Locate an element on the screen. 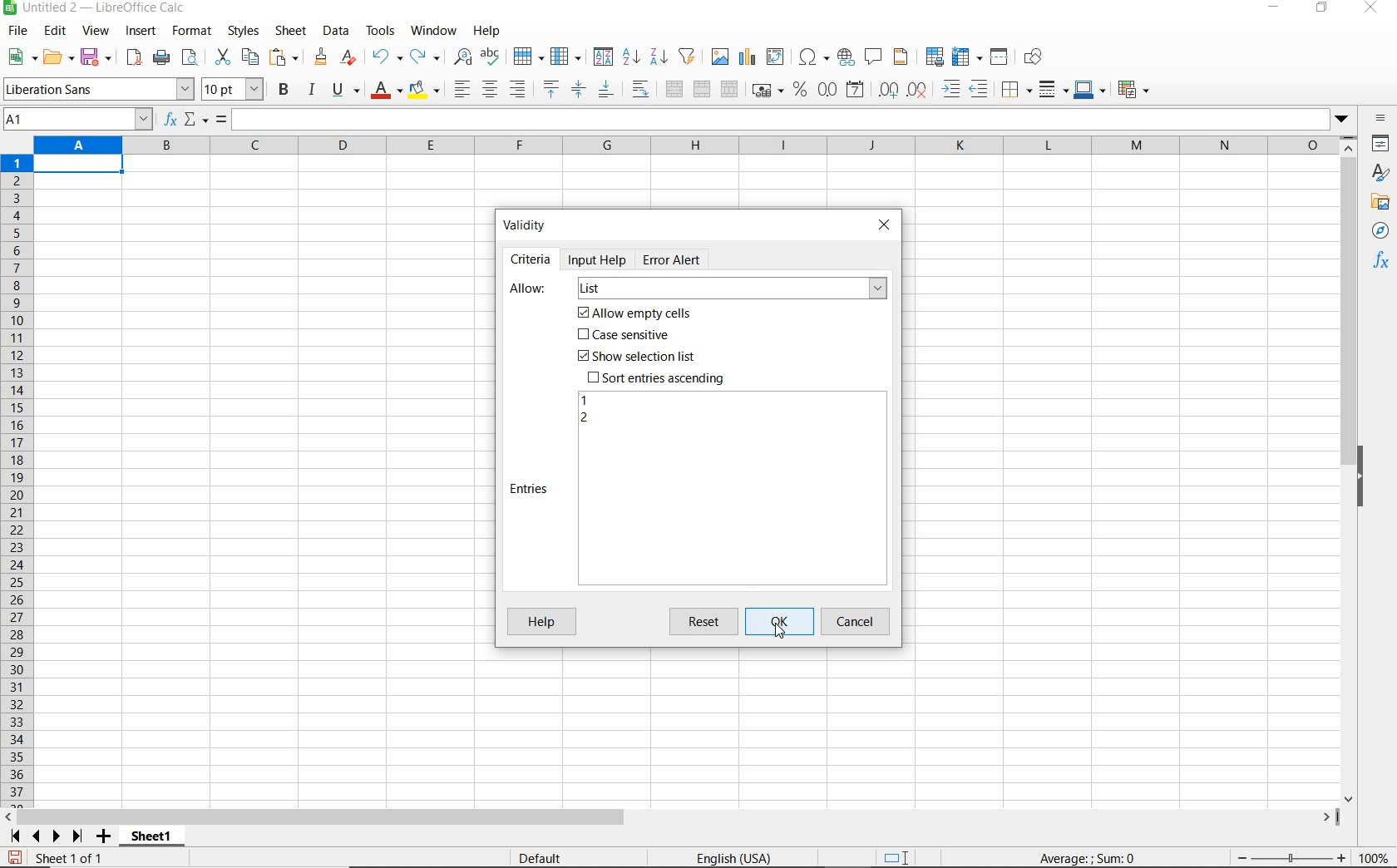 This screenshot has height=868, width=1397. format is located at coordinates (190, 31).